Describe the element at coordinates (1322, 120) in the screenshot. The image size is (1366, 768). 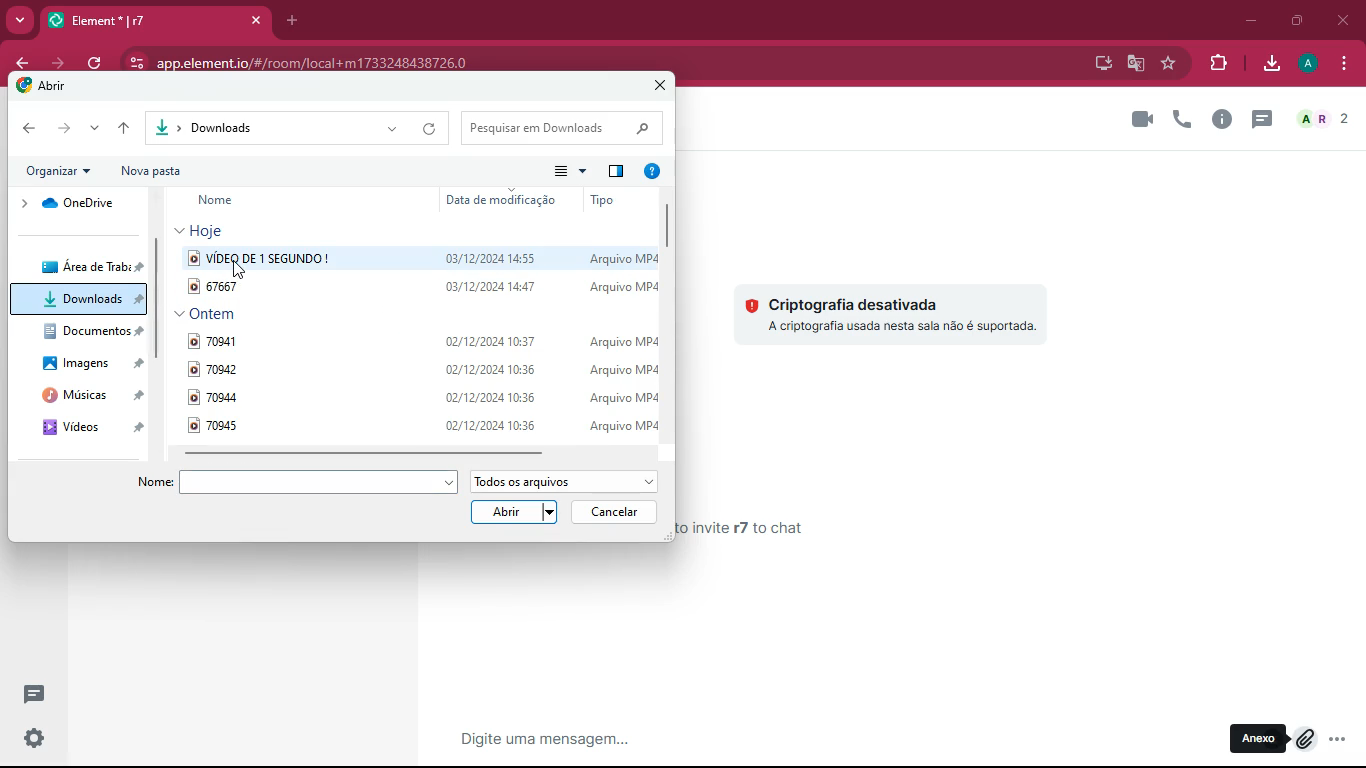
I see `a r 2` at that location.